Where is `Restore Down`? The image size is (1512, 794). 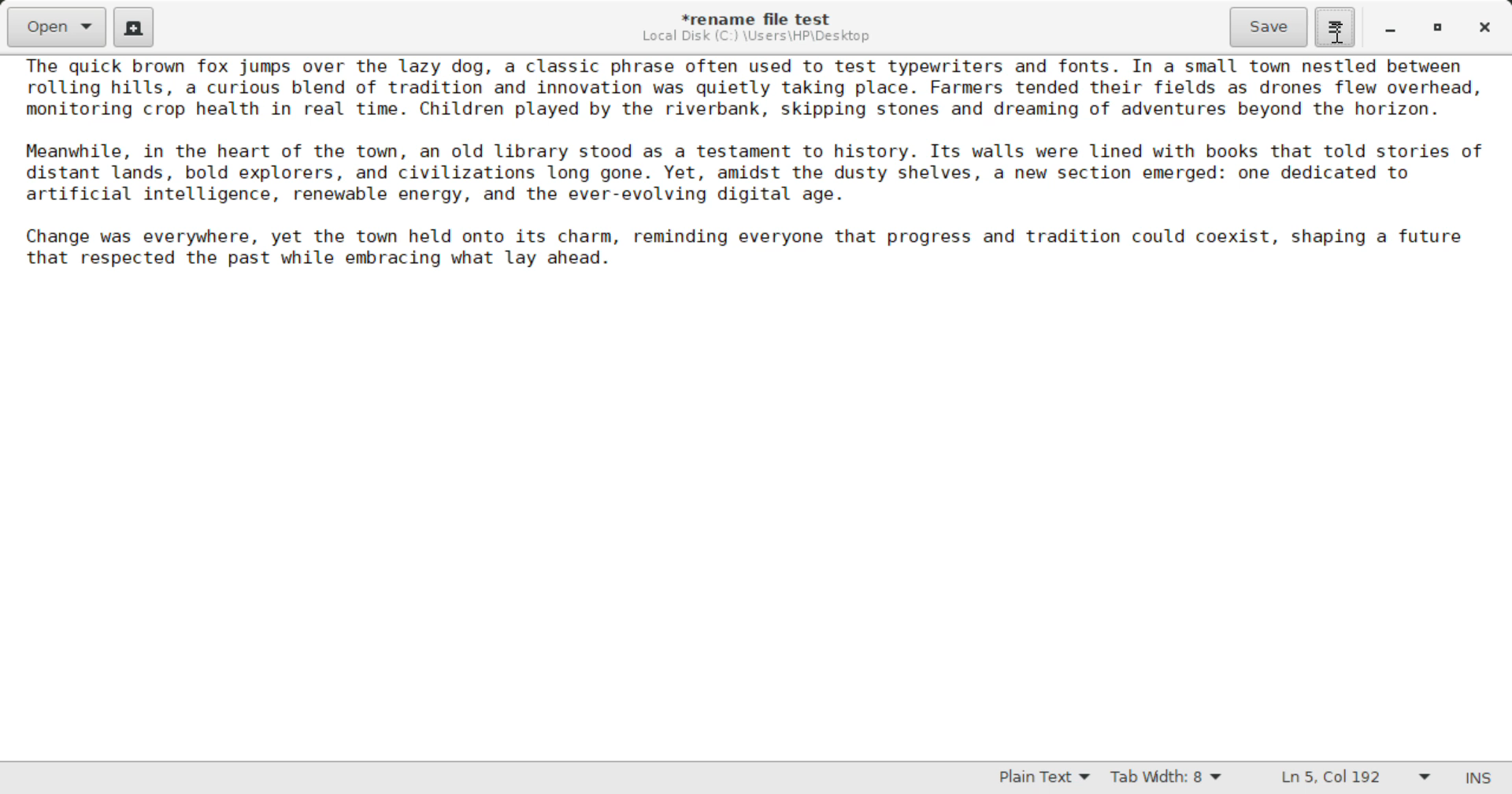
Restore Down is located at coordinates (1388, 28).